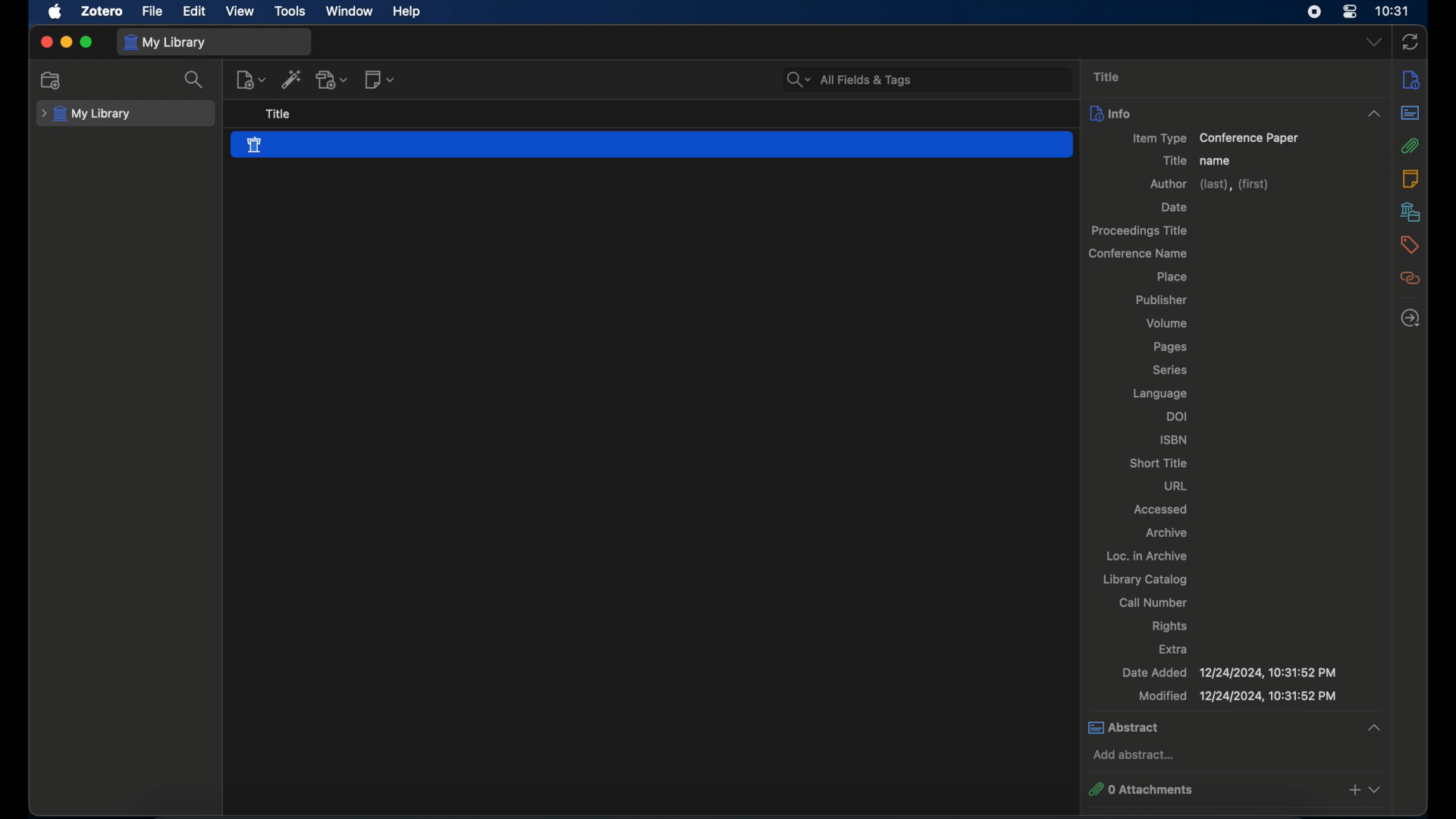 The width and height of the screenshot is (1456, 819). I want to click on date, so click(1175, 207).